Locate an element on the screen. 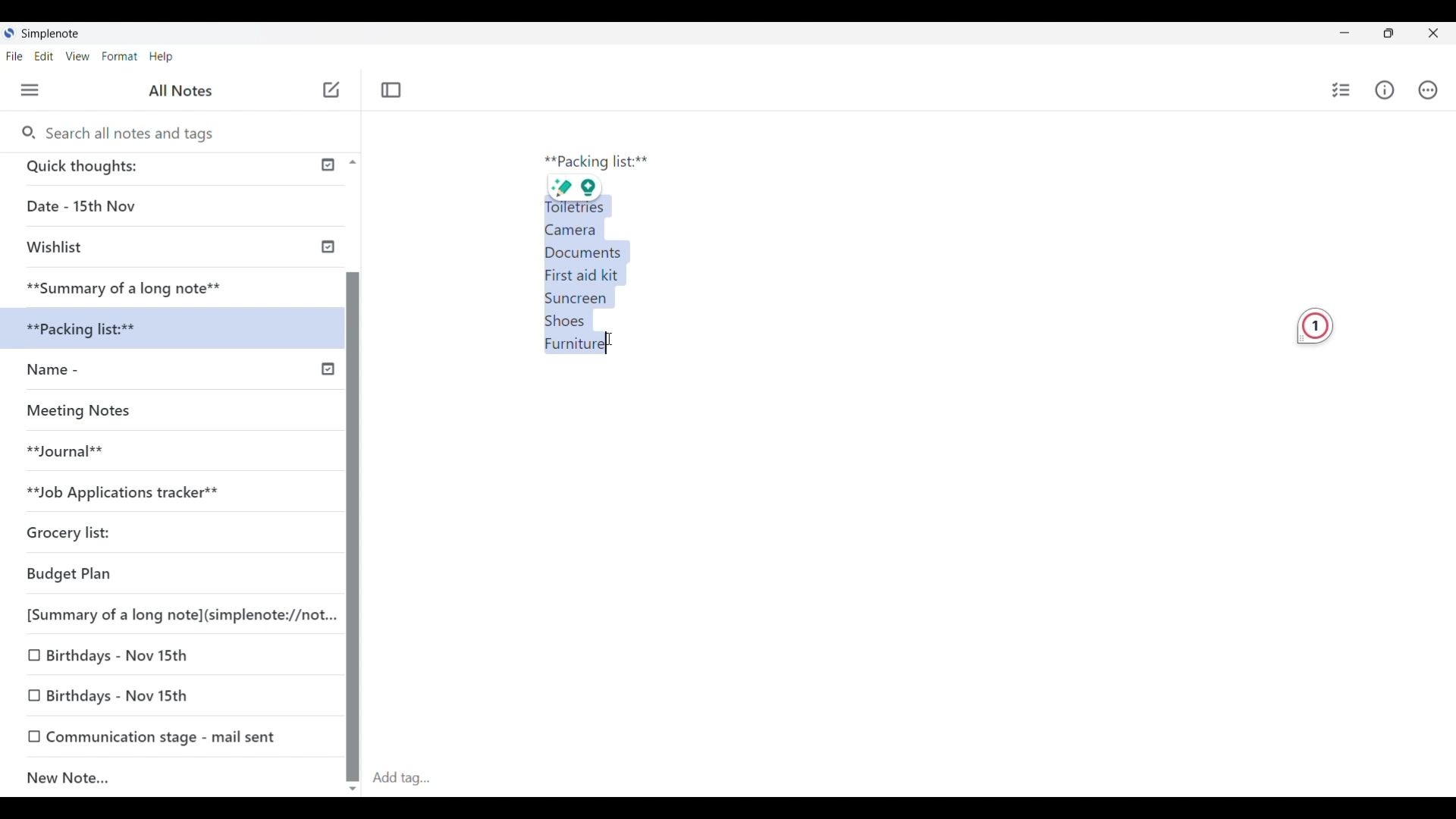  Vertical slide bar for left panel is located at coordinates (353, 513).